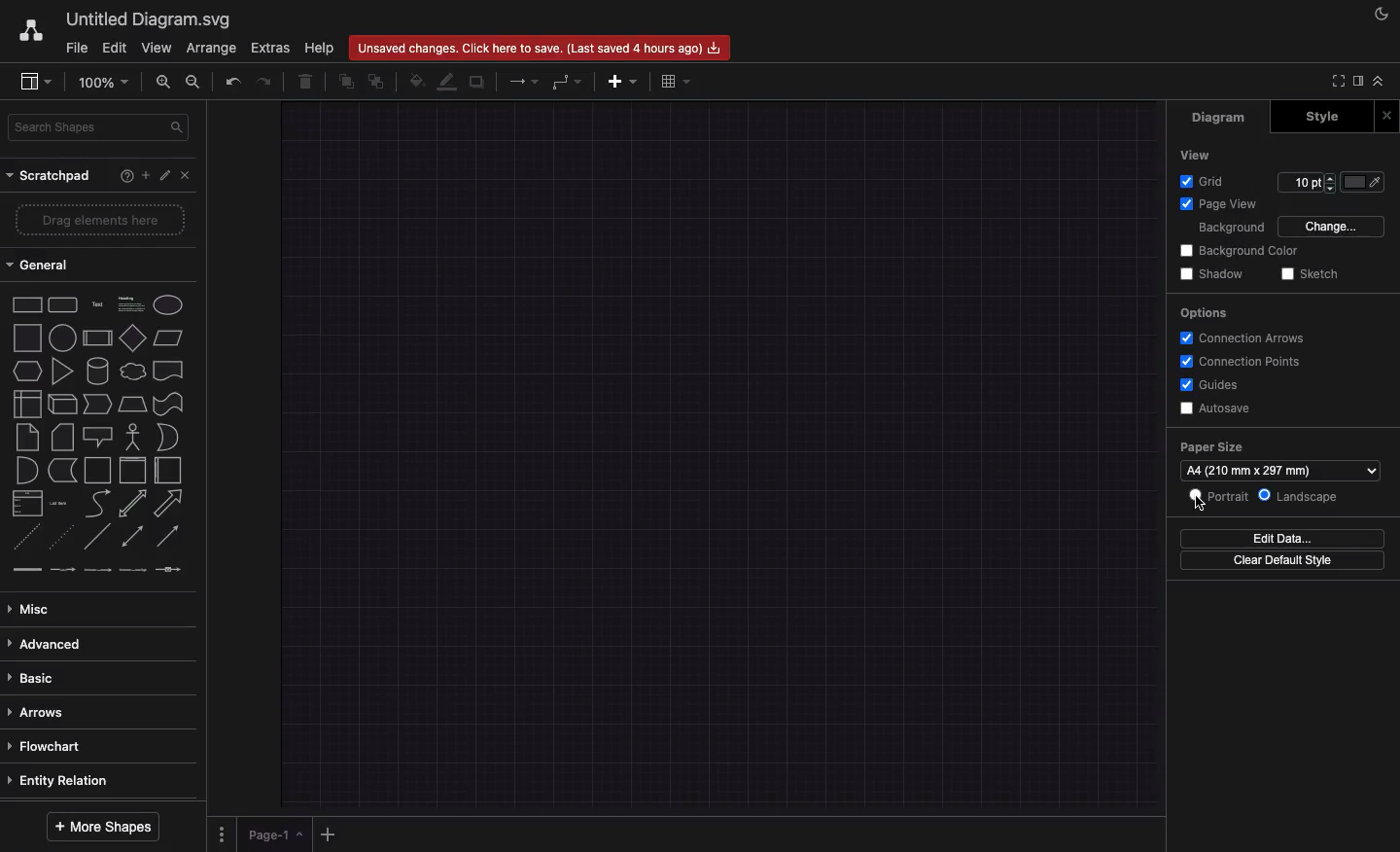  What do you see at coordinates (118, 177) in the screenshot?
I see `Help` at bounding box center [118, 177].